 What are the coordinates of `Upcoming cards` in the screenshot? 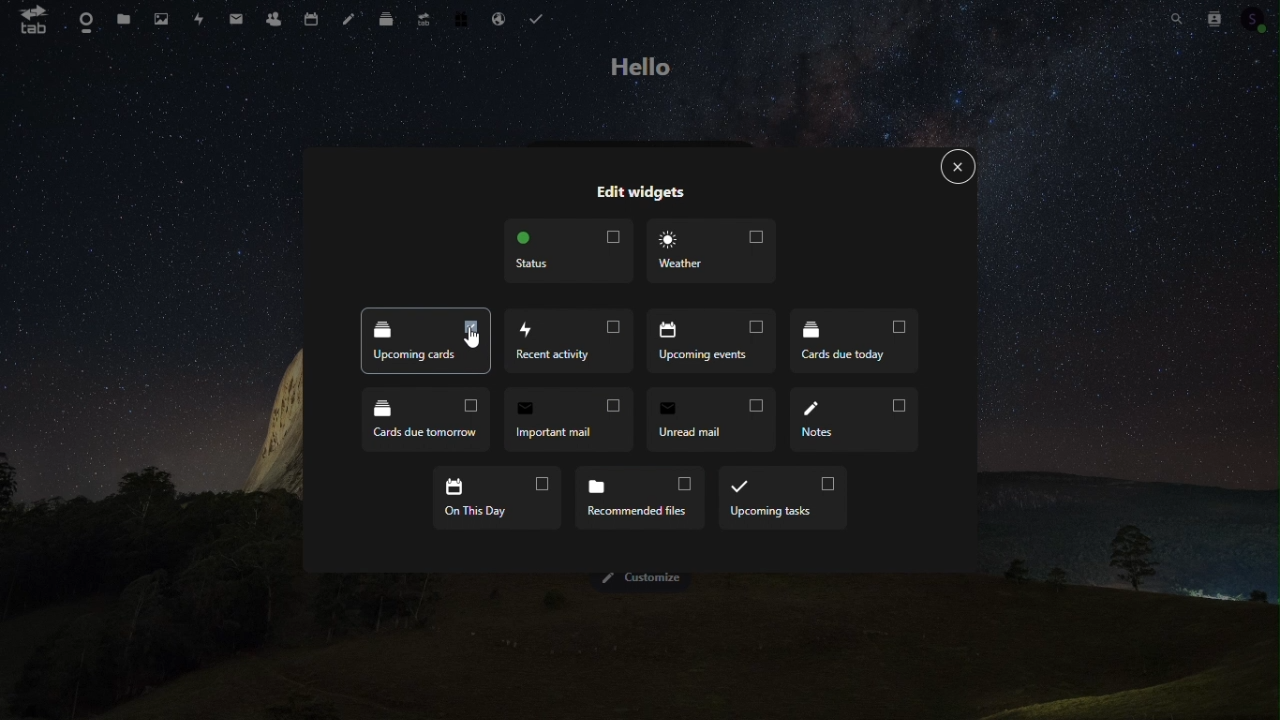 It's located at (427, 340).